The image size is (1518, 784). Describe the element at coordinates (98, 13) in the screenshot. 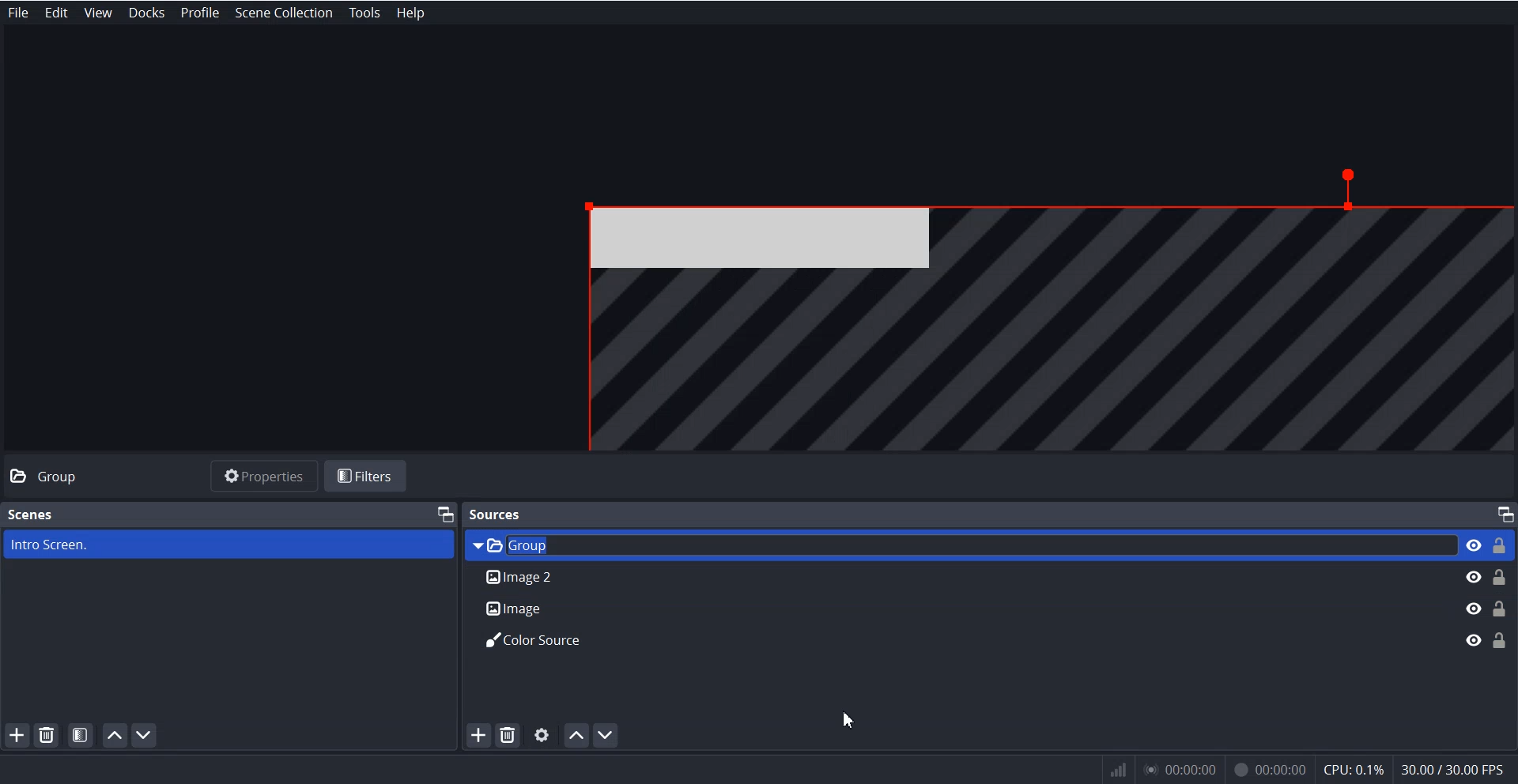

I see `View` at that location.